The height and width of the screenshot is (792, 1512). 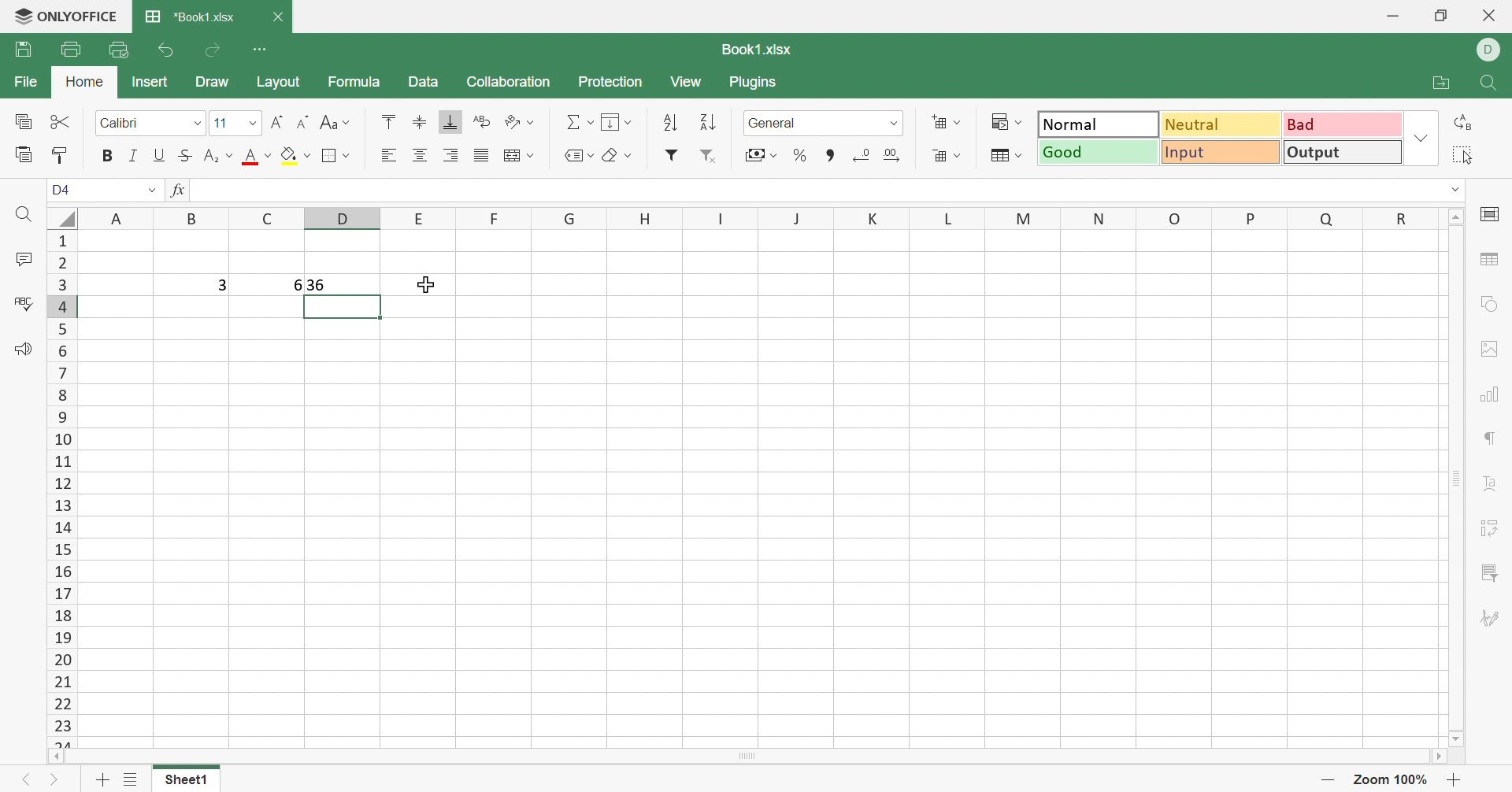 I want to click on Paste, so click(x=24, y=157).